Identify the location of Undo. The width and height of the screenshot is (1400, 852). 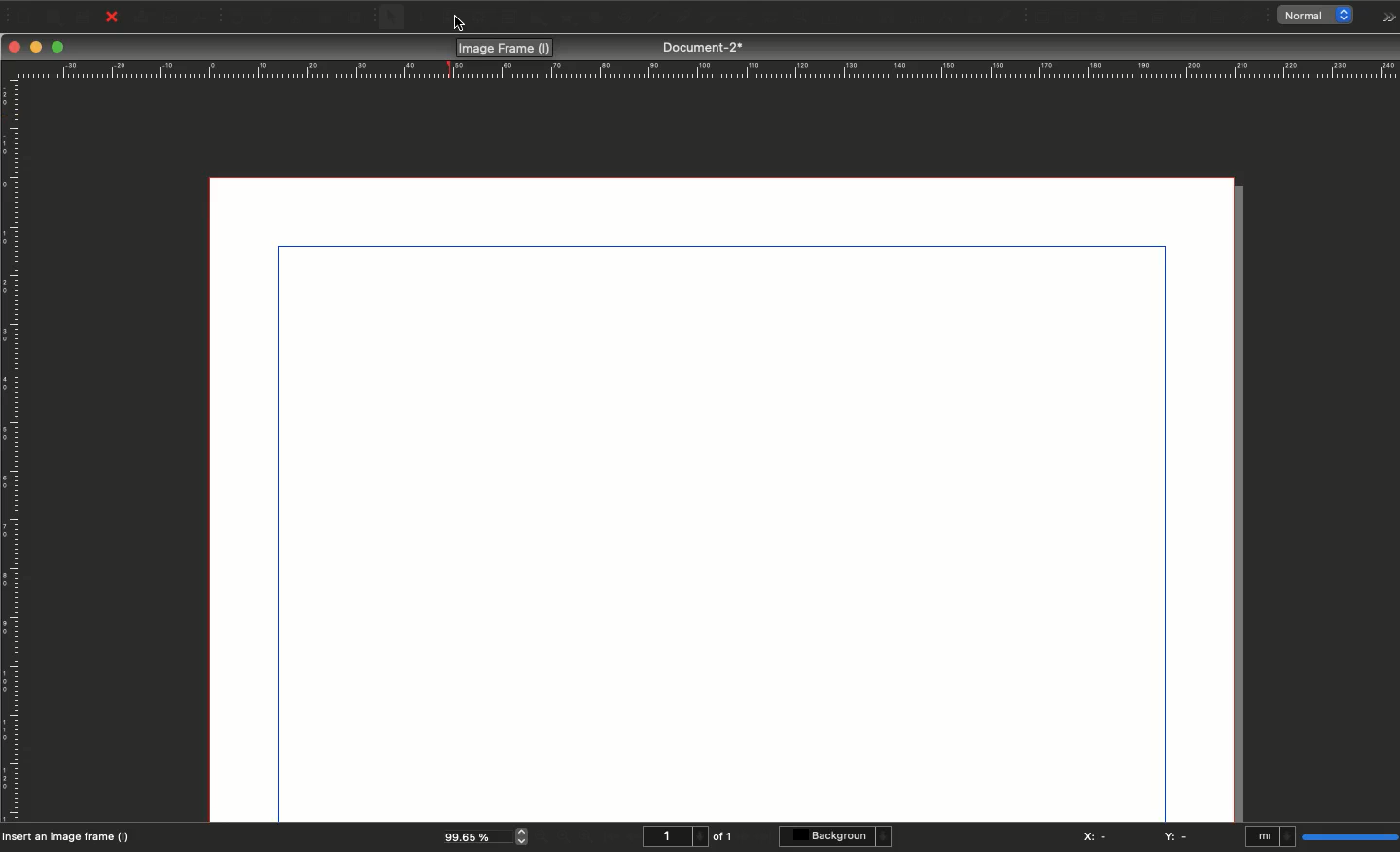
(237, 18).